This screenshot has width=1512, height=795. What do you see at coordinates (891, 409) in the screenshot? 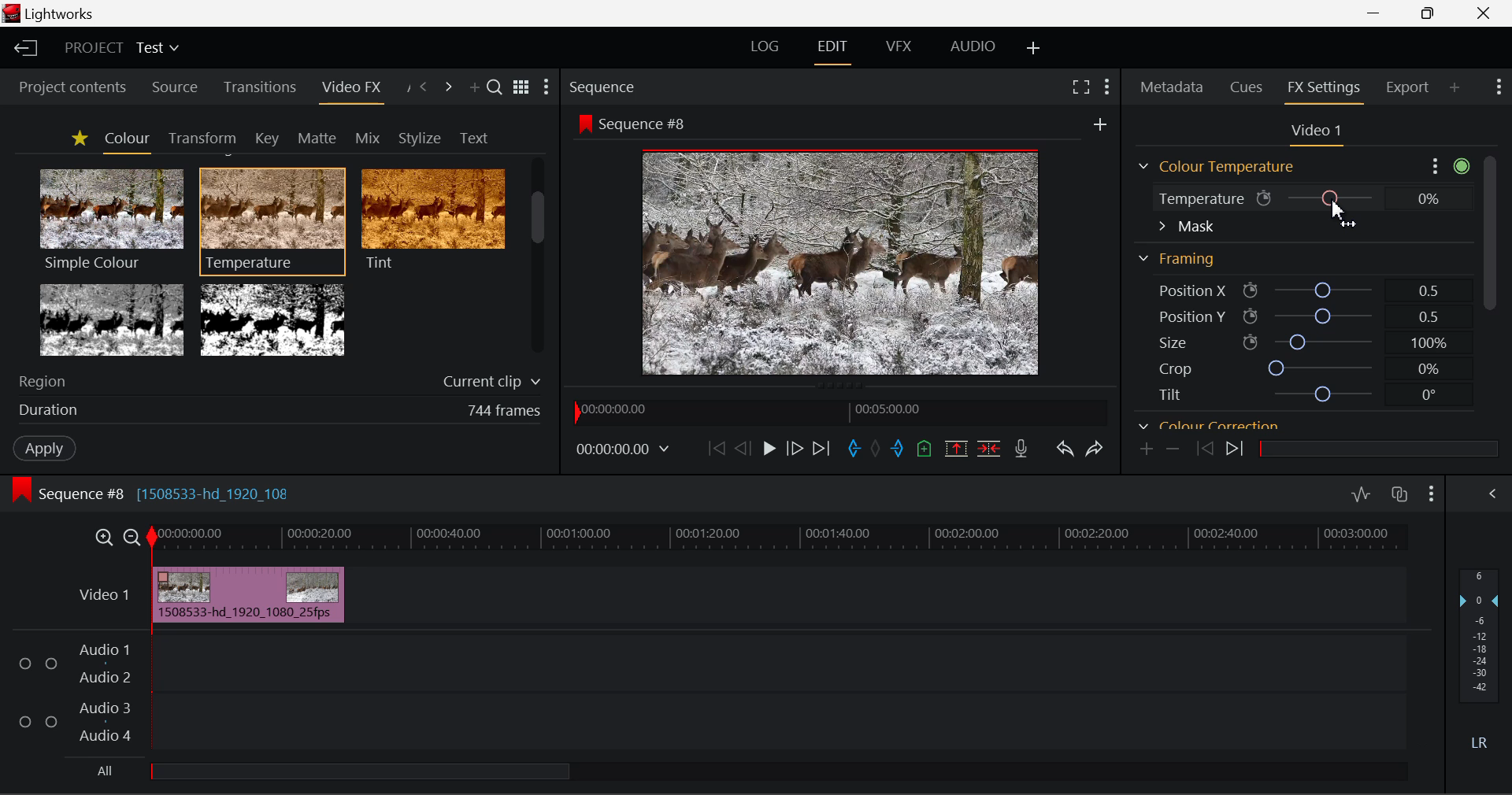
I see `00:05:00.00` at bounding box center [891, 409].